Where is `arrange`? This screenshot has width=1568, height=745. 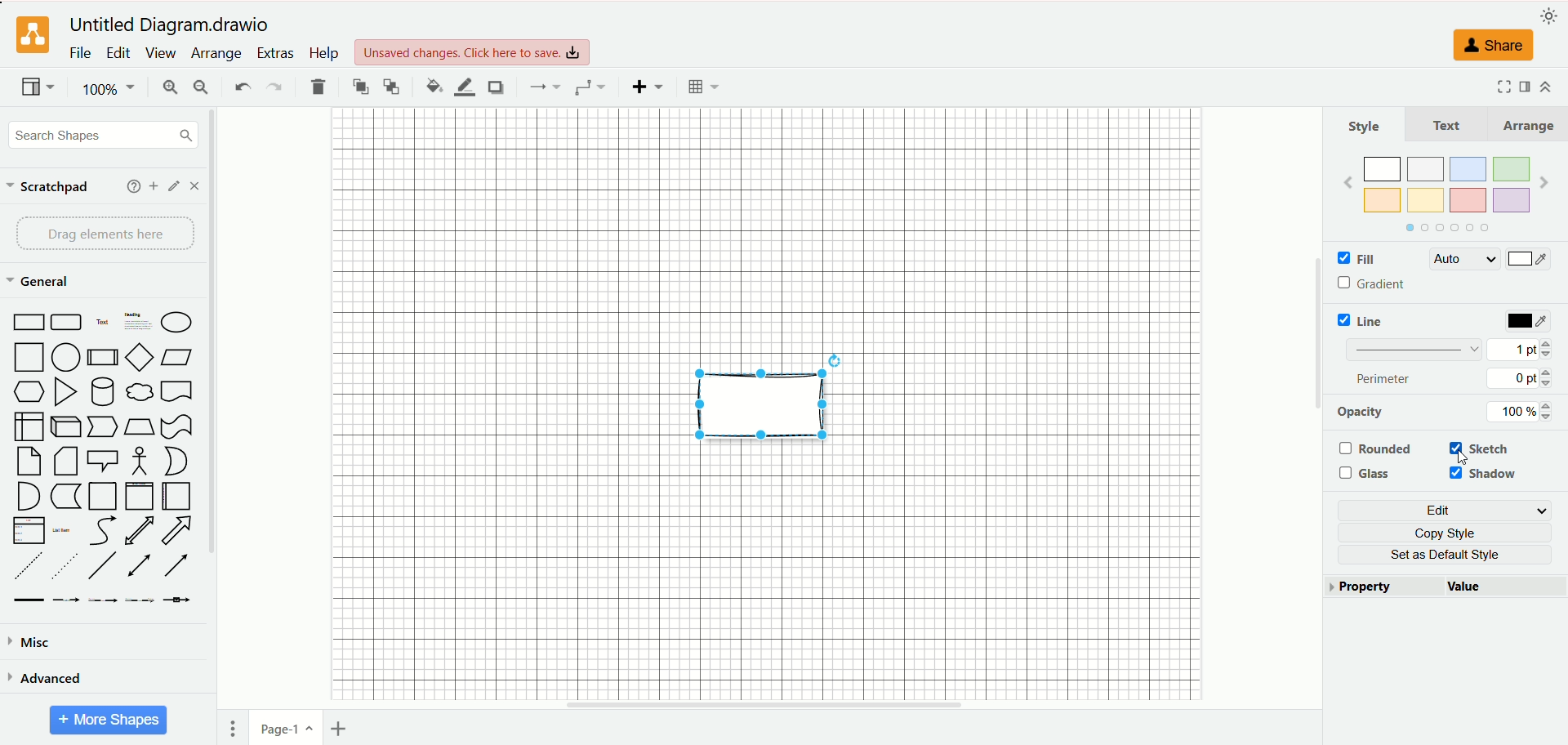
arrange is located at coordinates (1526, 125).